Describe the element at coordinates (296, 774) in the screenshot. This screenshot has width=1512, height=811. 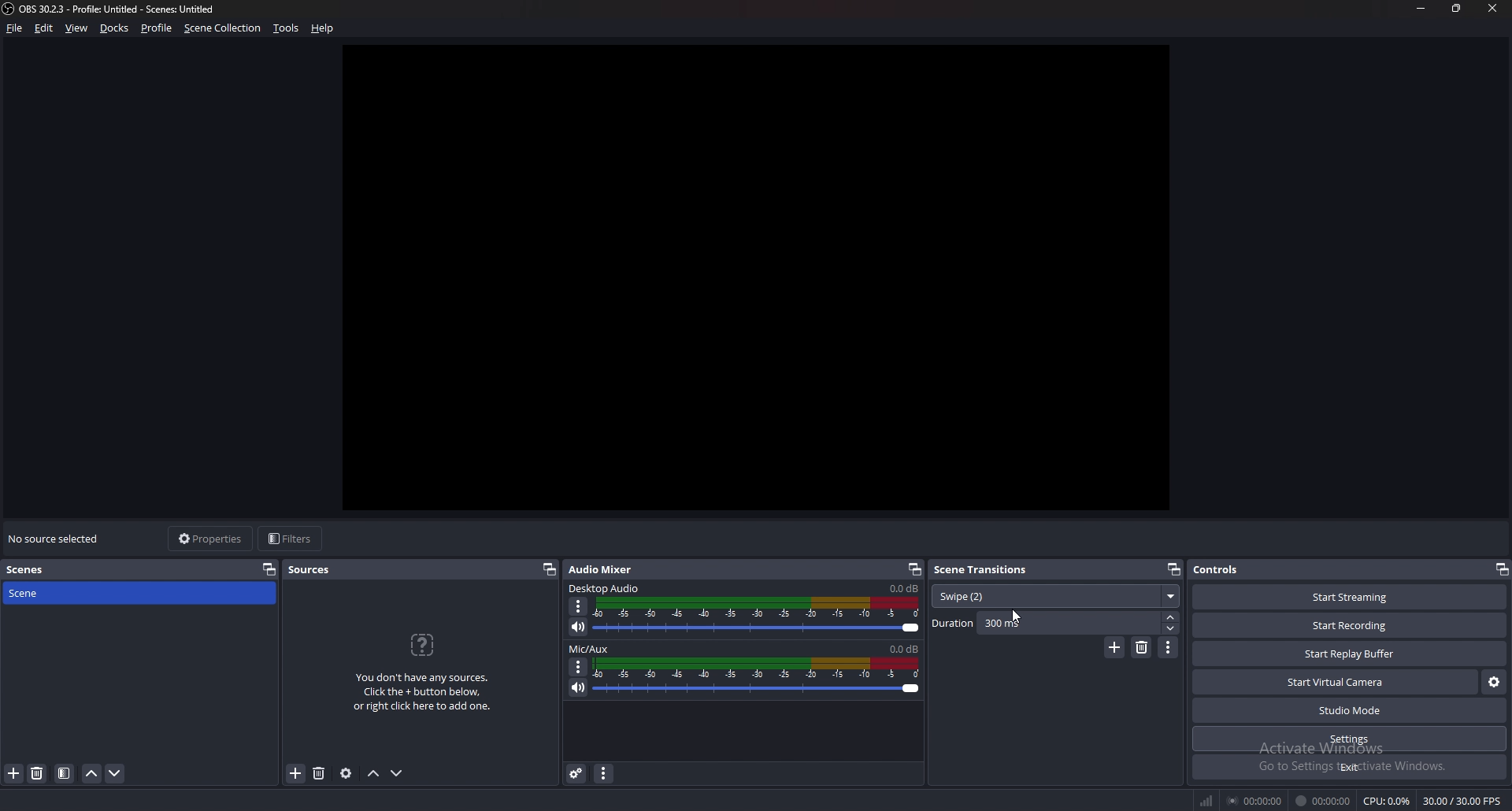
I see `add source` at that location.